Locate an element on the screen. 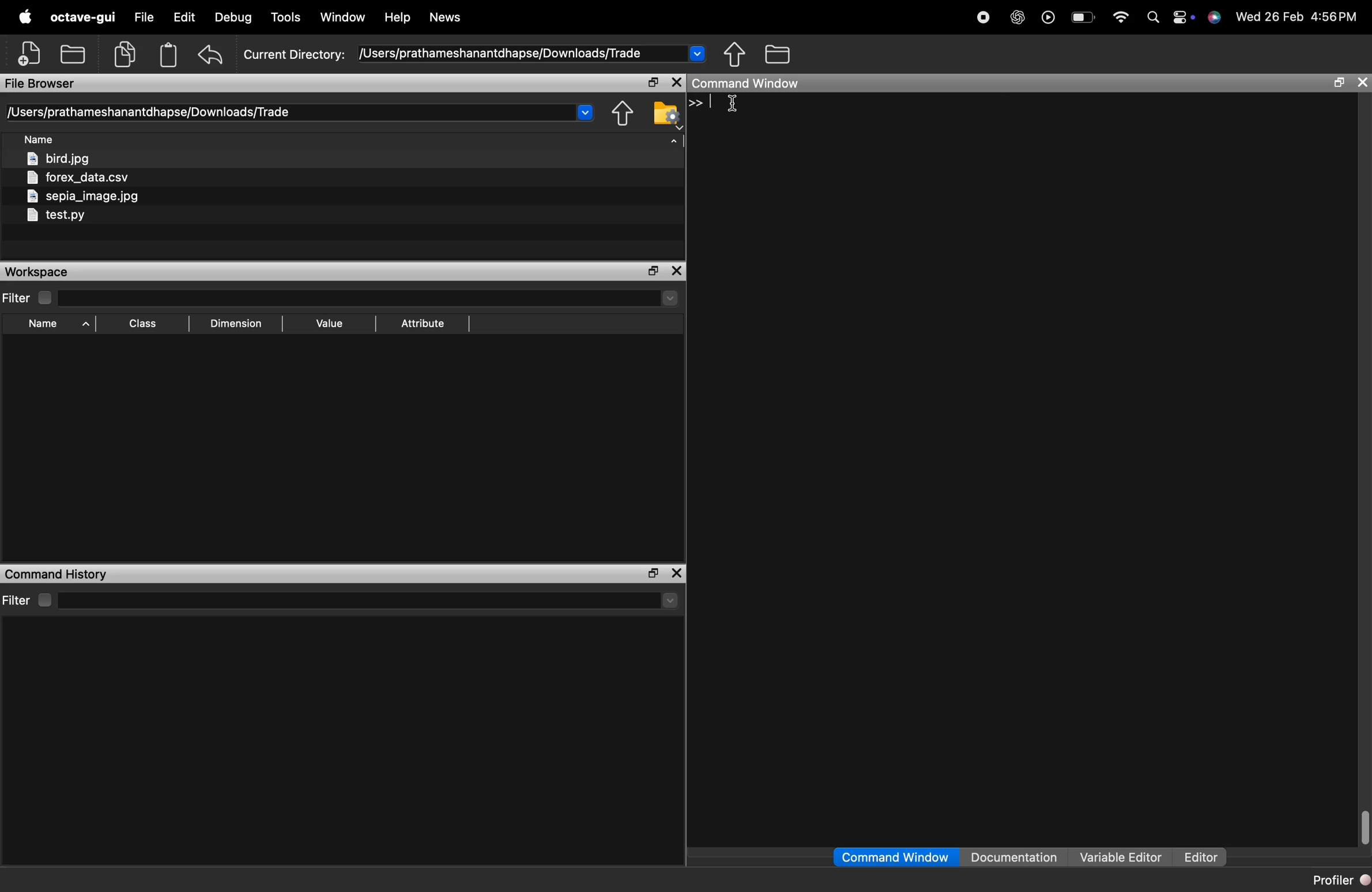  share is located at coordinates (735, 55).